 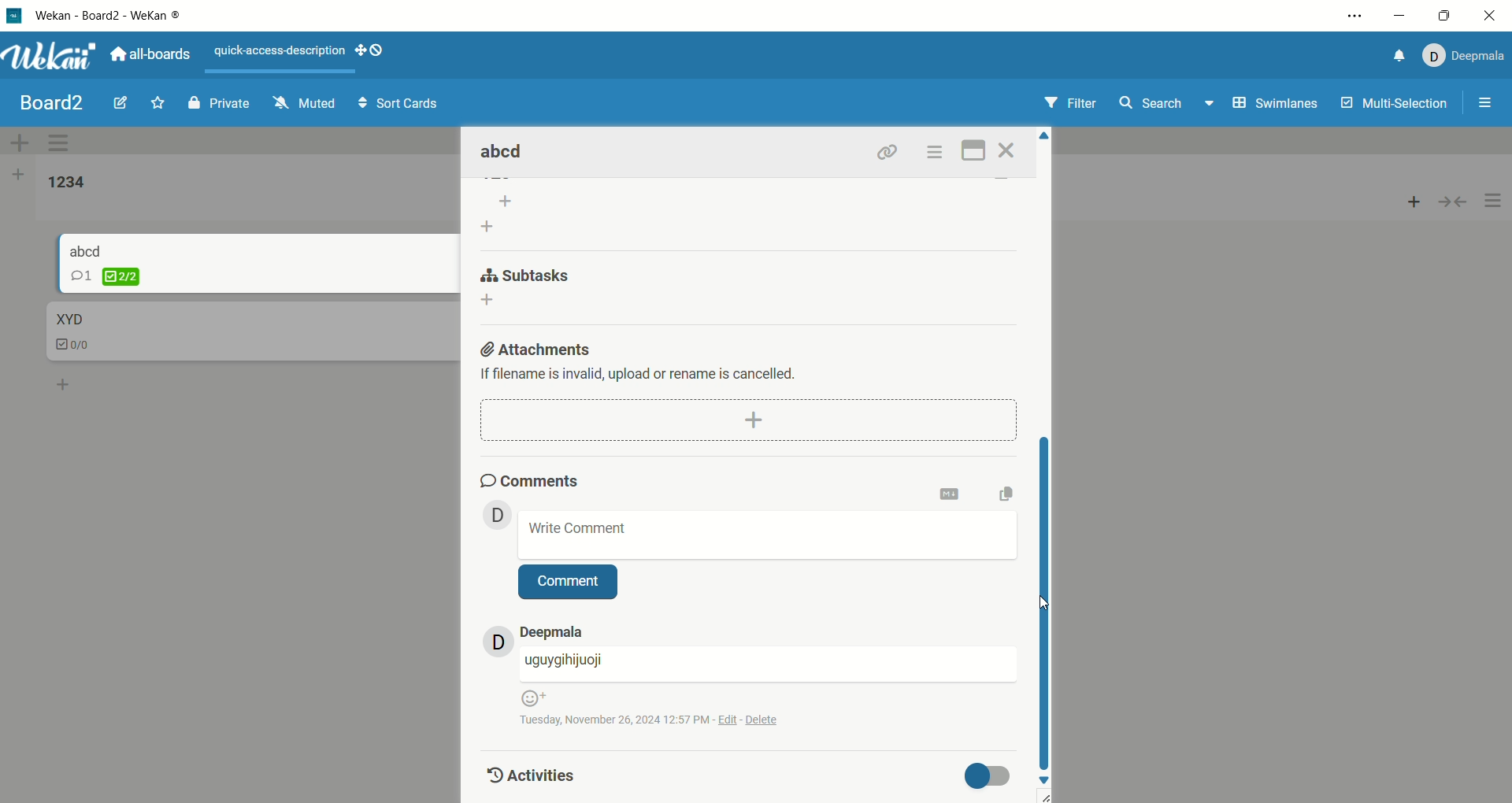 I want to click on text, so click(x=281, y=52).